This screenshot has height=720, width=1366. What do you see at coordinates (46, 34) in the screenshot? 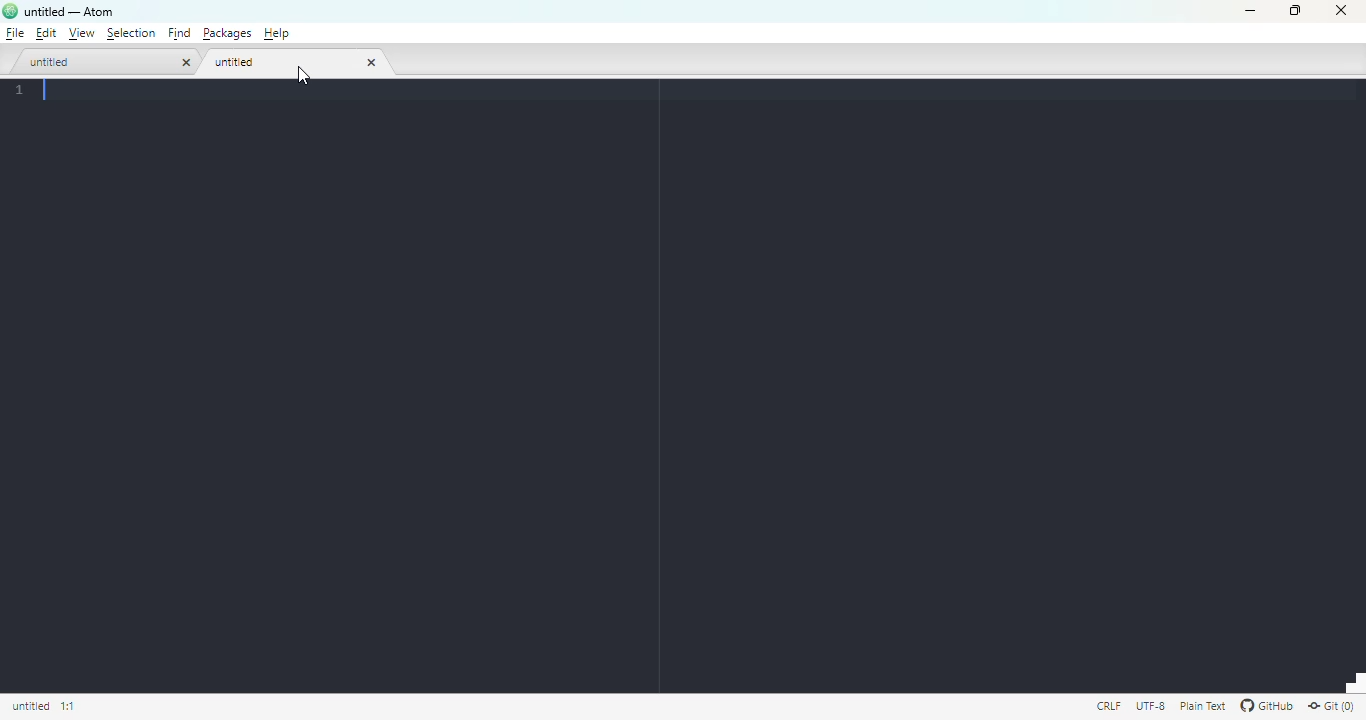
I see `edit` at bounding box center [46, 34].